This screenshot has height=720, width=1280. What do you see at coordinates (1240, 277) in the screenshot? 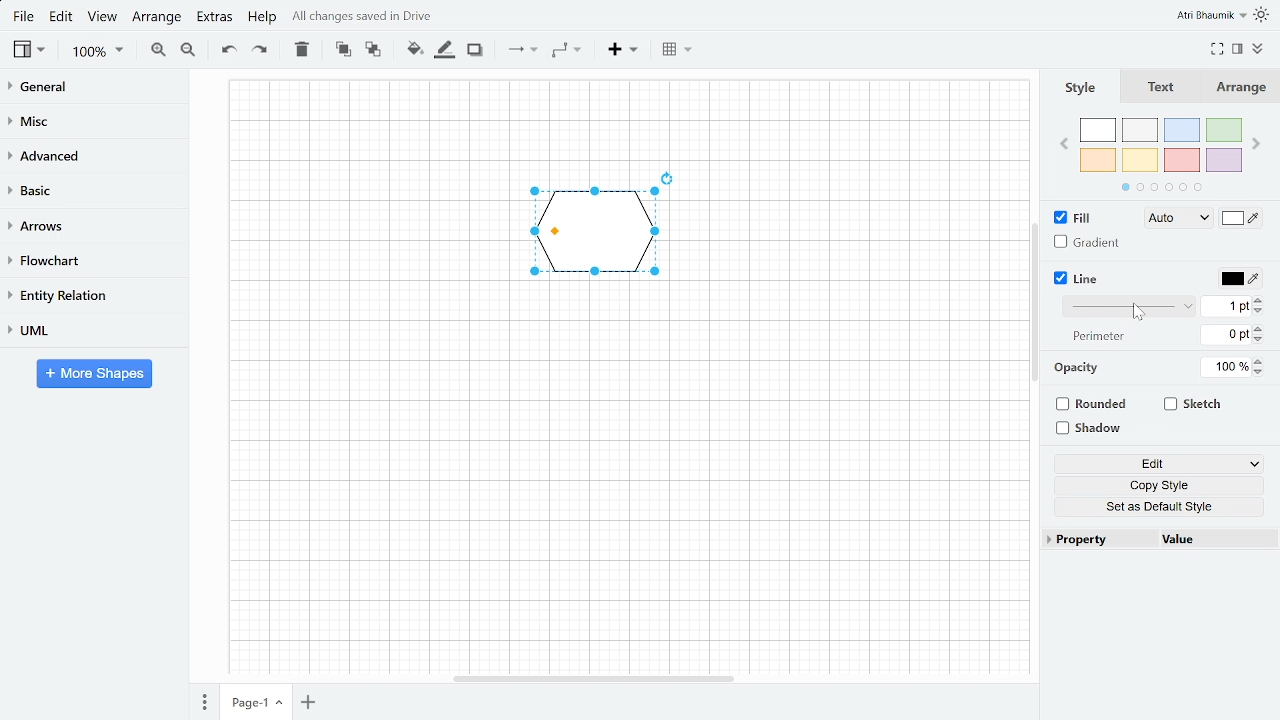
I see `Line color` at bounding box center [1240, 277].